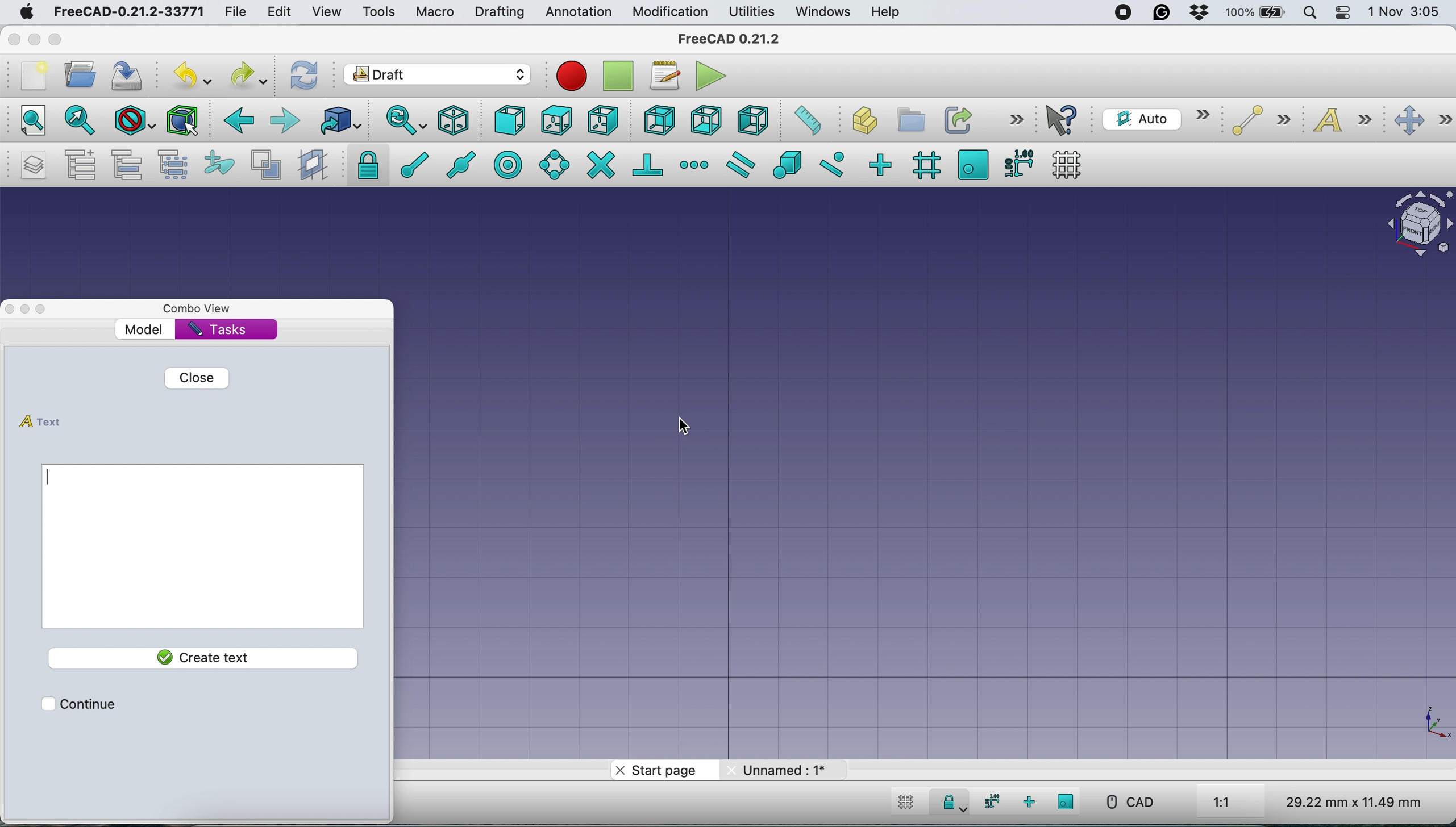 This screenshot has height=827, width=1456. Describe the element at coordinates (1071, 800) in the screenshot. I see `snap working plane` at that location.